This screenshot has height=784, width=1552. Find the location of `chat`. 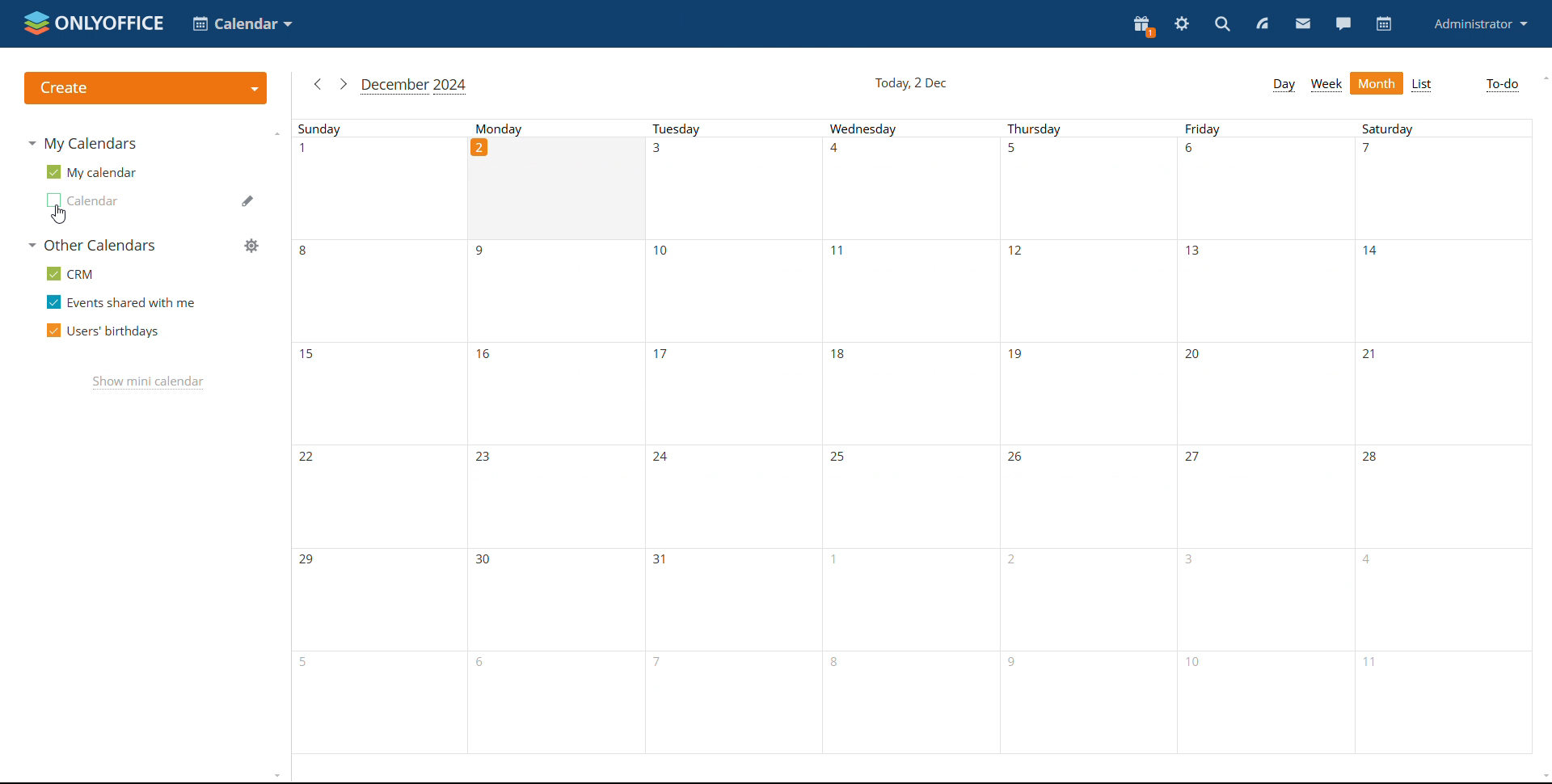

chat is located at coordinates (1343, 24).